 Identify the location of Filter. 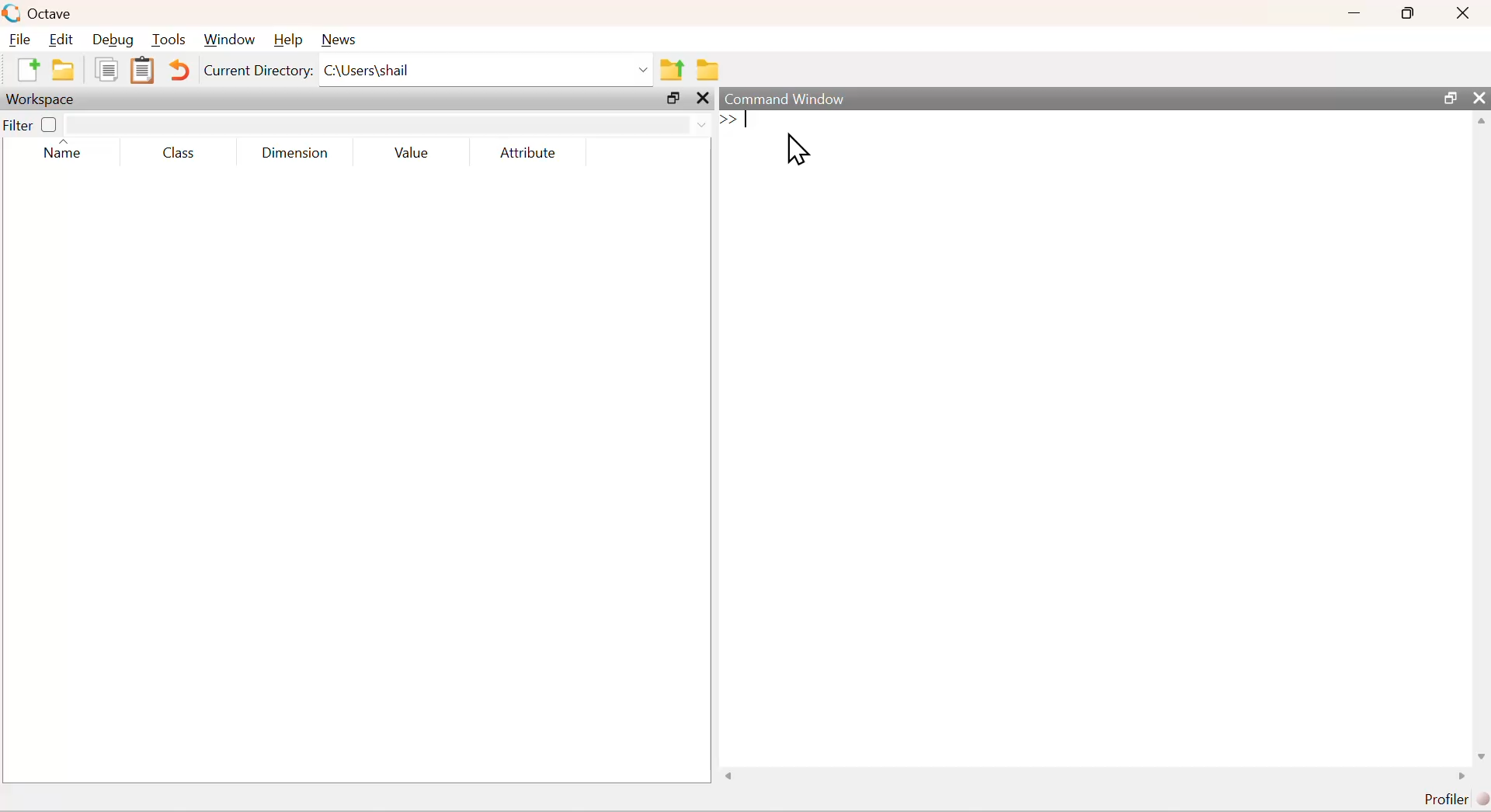
(18, 125).